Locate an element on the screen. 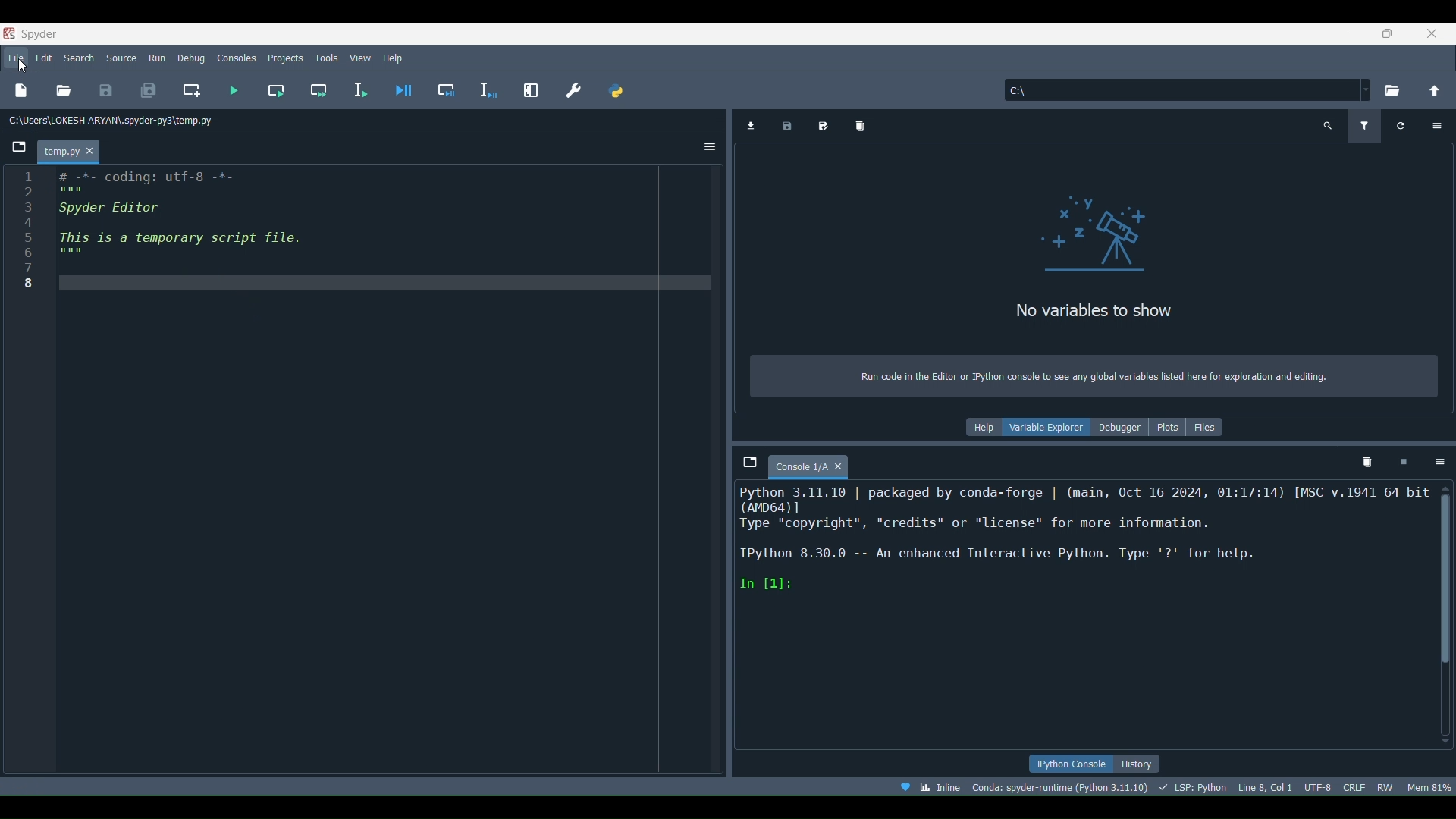 The image size is (1456, 819). View is located at coordinates (361, 58).